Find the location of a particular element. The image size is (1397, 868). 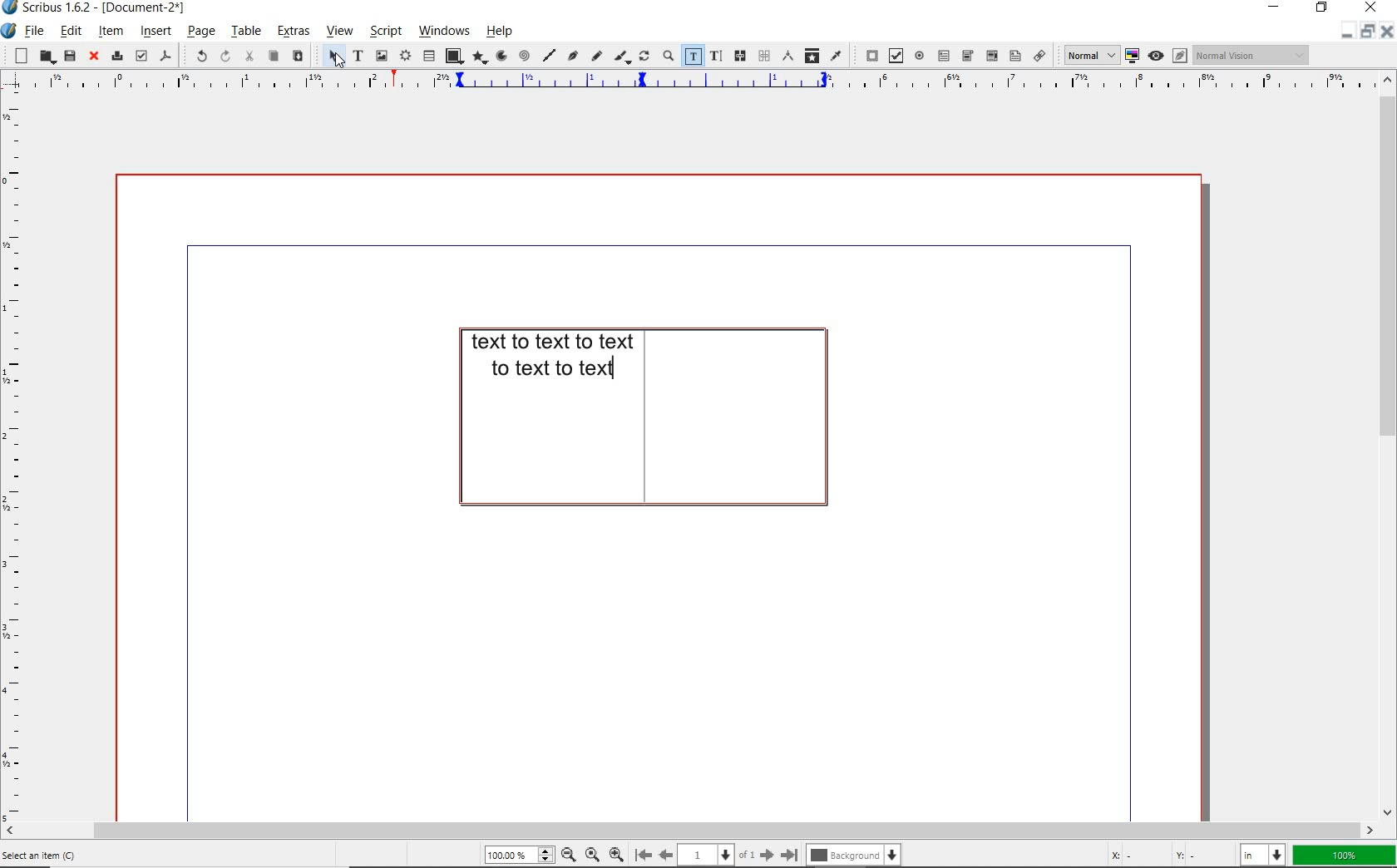

zoom out is located at coordinates (568, 854).